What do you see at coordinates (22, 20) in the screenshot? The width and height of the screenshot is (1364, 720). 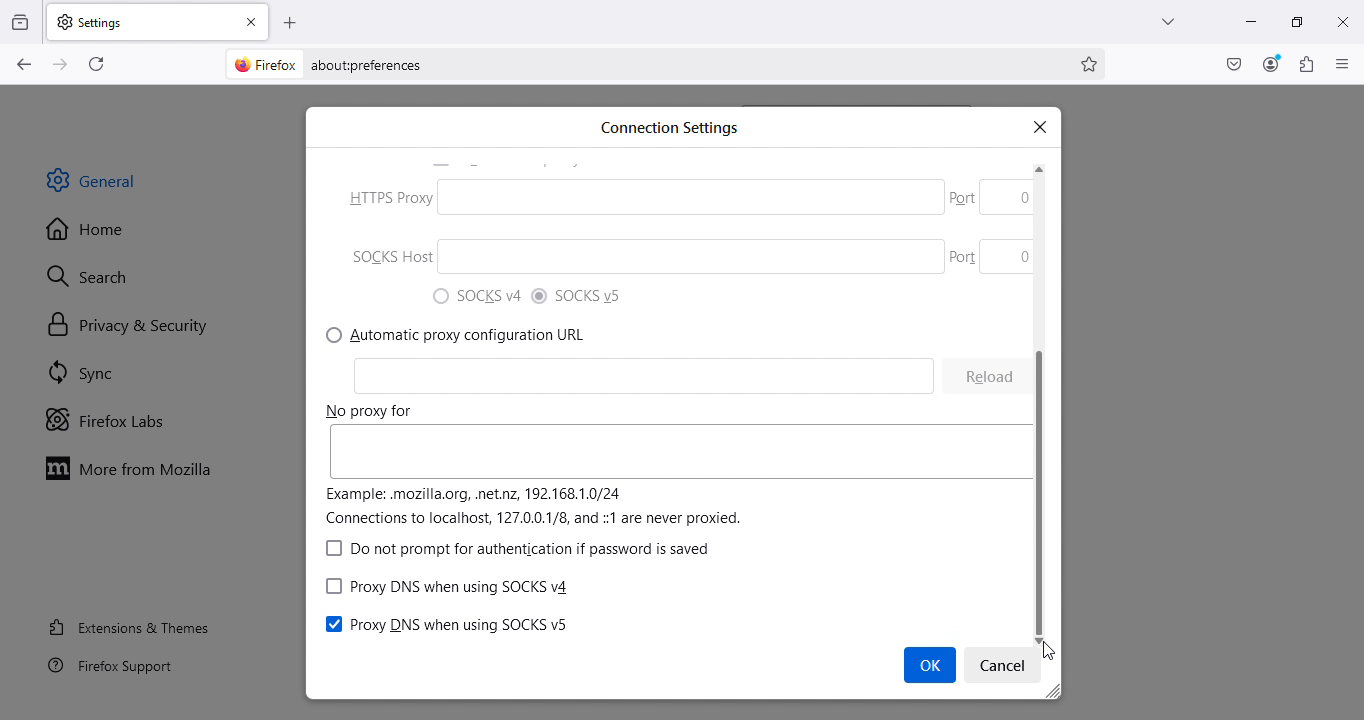 I see `View recent browsing across windows and devices` at bounding box center [22, 20].